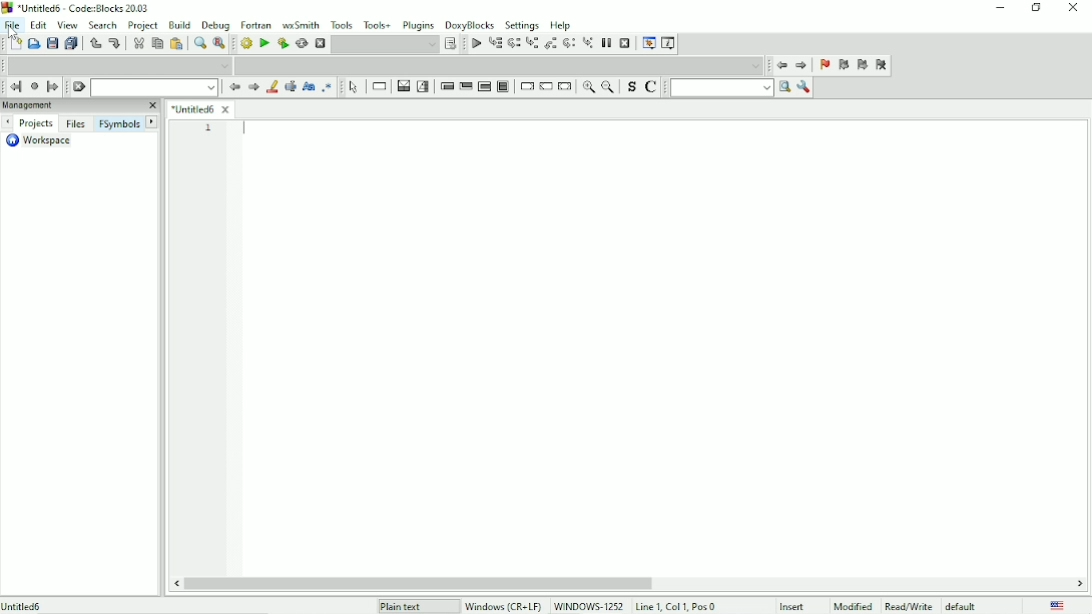 This screenshot has height=614, width=1092. What do you see at coordinates (209, 127) in the screenshot?
I see `1` at bounding box center [209, 127].